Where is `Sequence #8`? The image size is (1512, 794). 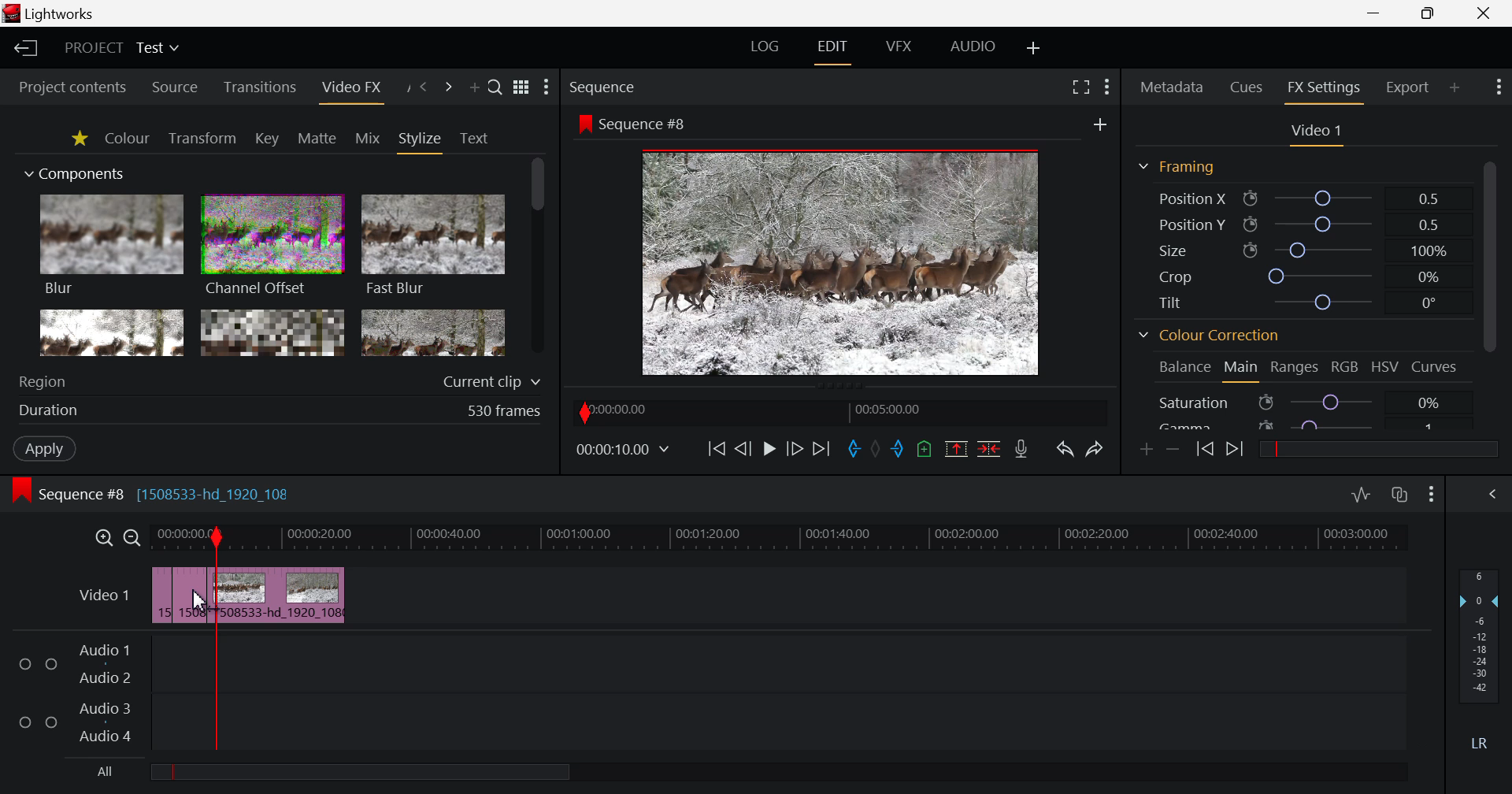 Sequence #8 is located at coordinates (634, 123).